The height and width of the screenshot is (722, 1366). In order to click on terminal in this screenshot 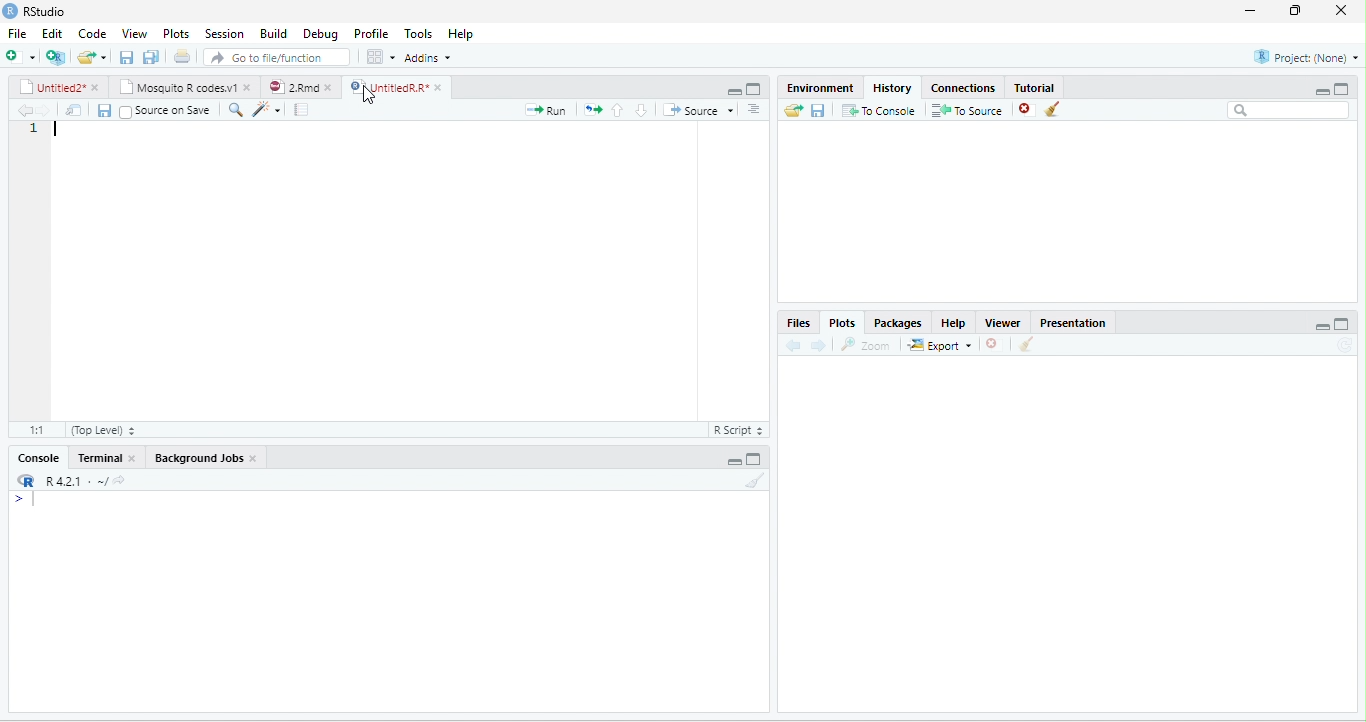, I will do `click(110, 457)`.